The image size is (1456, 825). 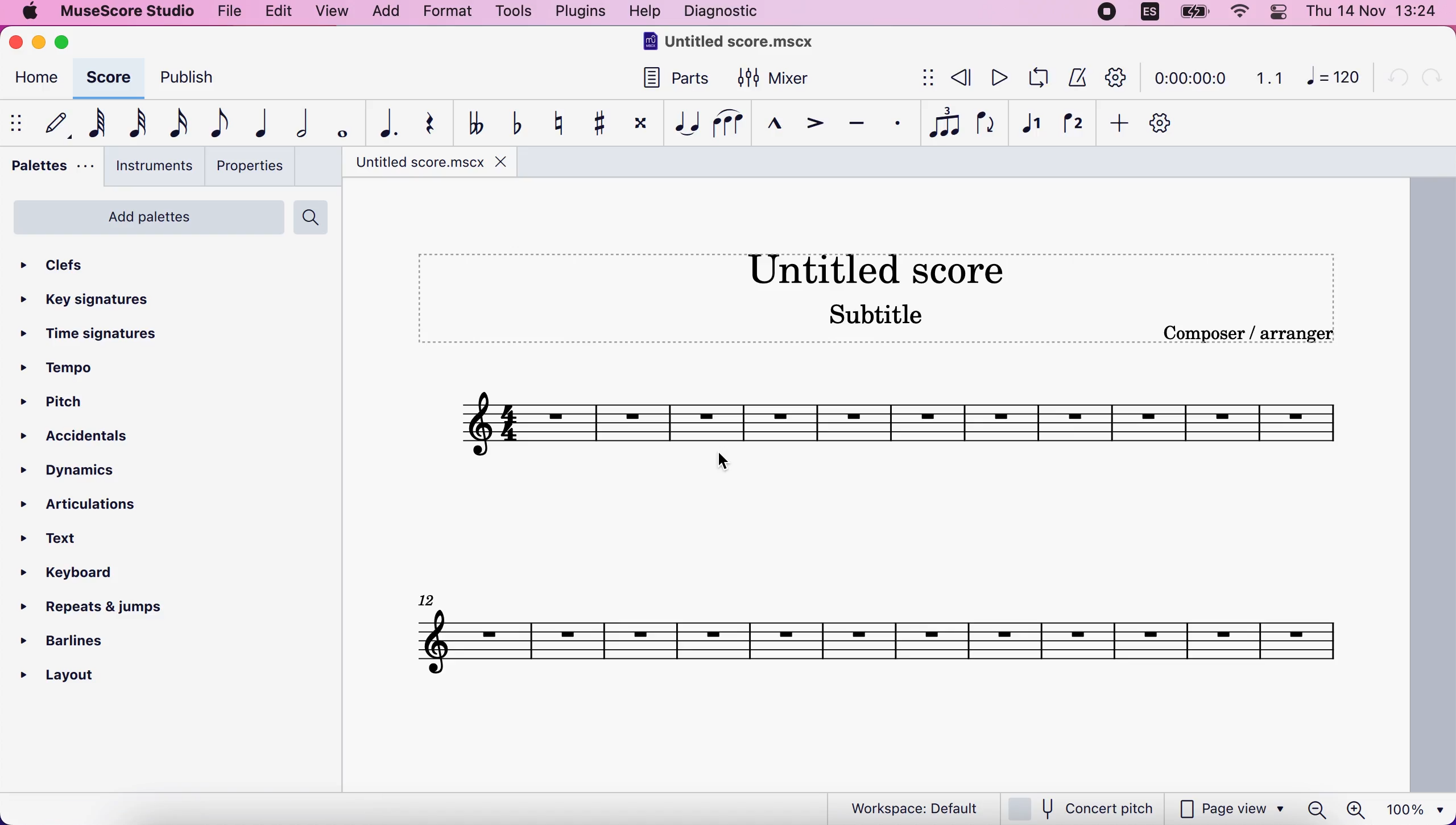 What do you see at coordinates (1077, 79) in the screenshot?
I see `metronome` at bounding box center [1077, 79].